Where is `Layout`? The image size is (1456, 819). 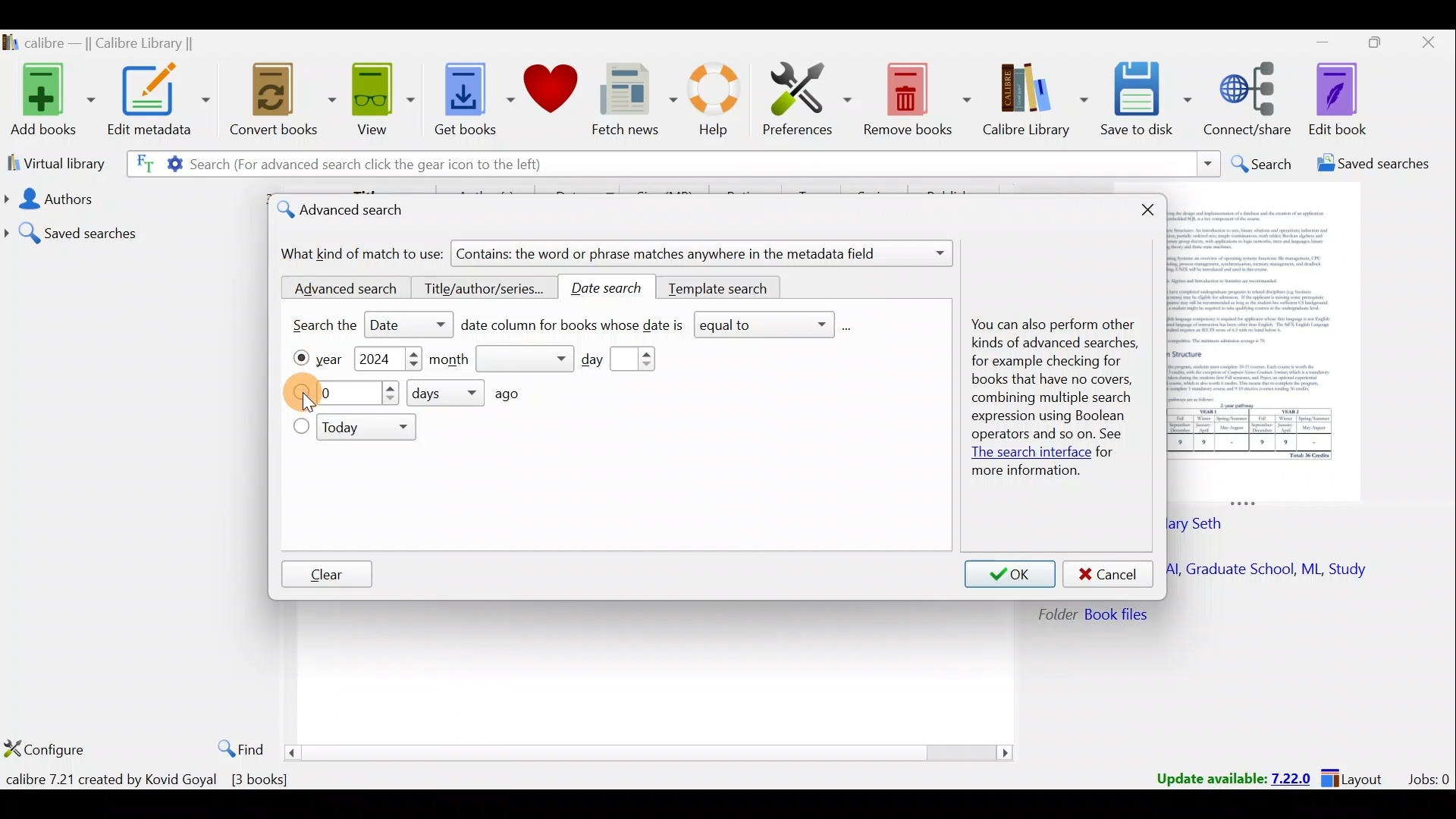 Layout is located at coordinates (1357, 777).